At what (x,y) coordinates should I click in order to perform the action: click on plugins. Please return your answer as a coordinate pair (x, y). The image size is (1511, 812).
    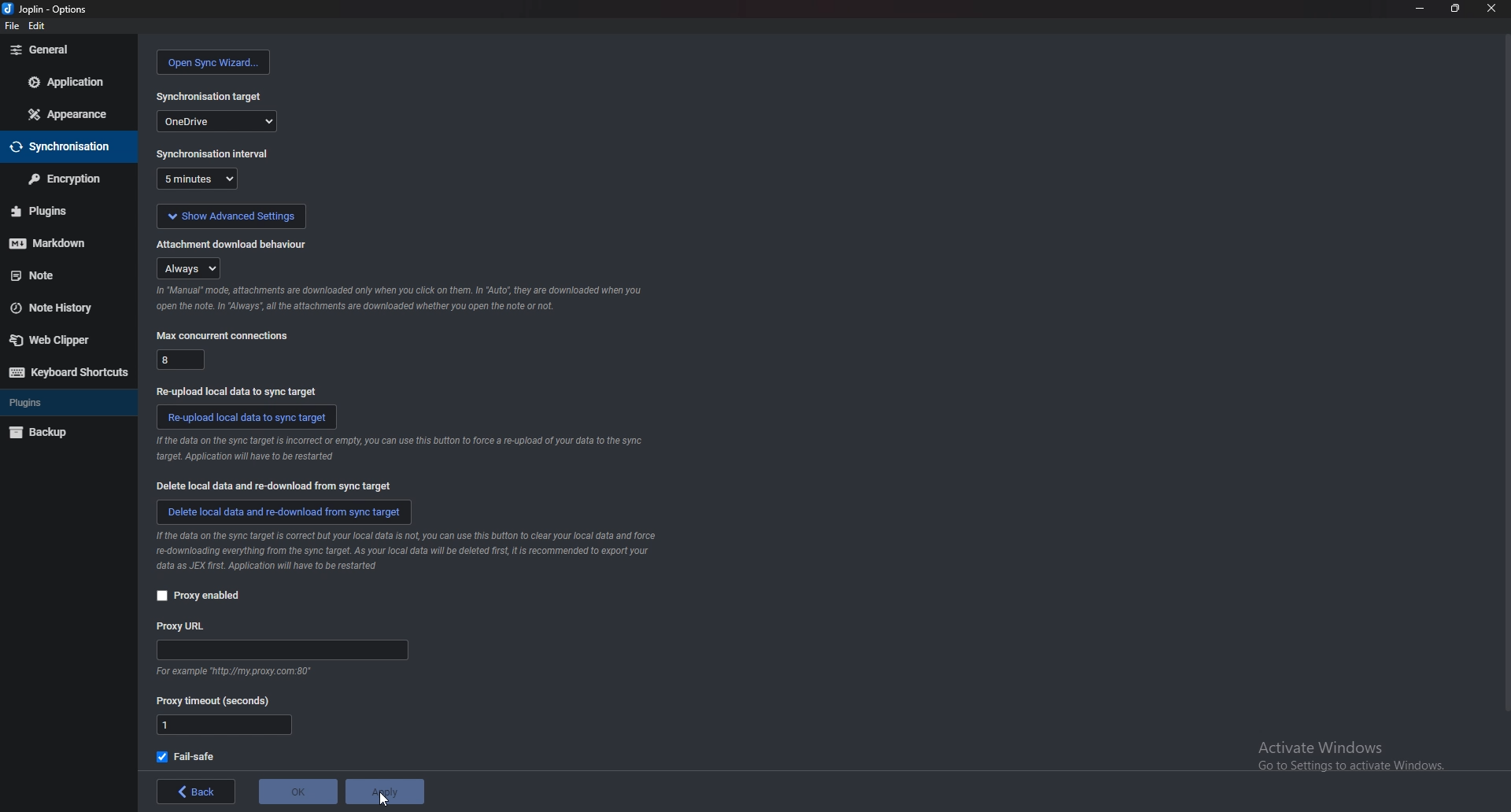
    Looking at the image, I should click on (60, 213).